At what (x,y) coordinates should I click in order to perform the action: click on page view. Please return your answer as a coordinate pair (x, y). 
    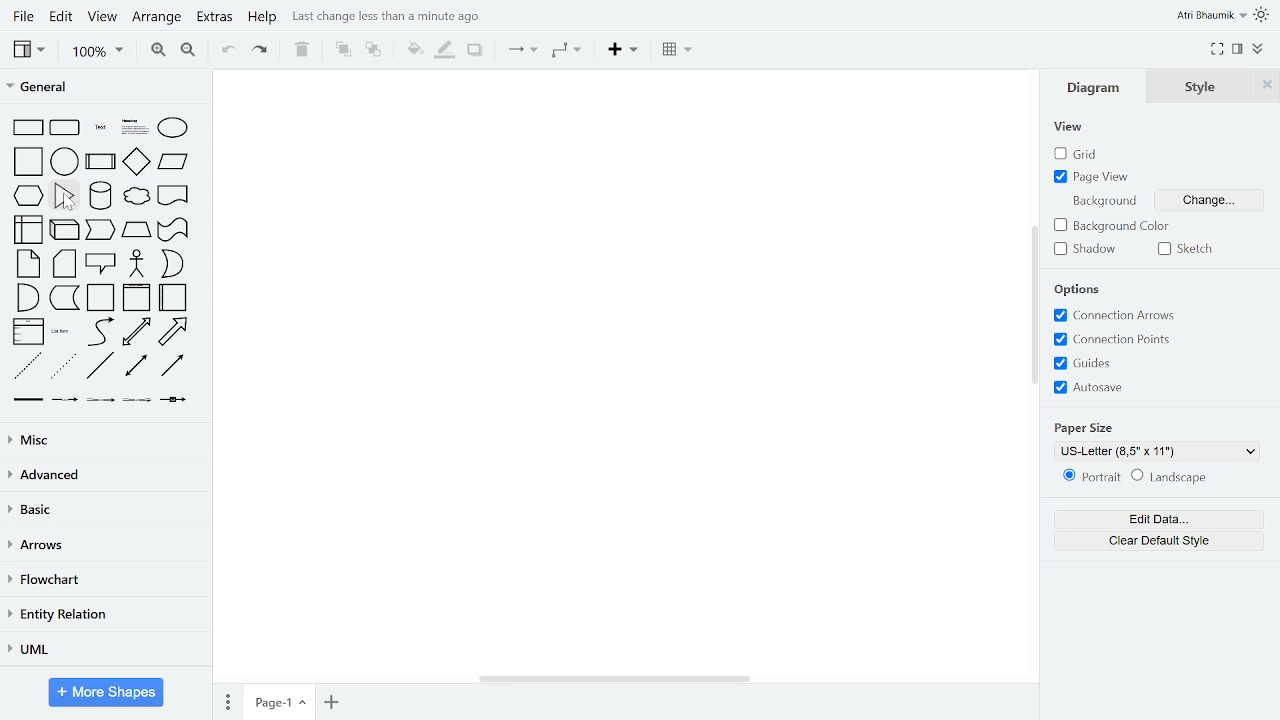
    Looking at the image, I should click on (1093, 176).